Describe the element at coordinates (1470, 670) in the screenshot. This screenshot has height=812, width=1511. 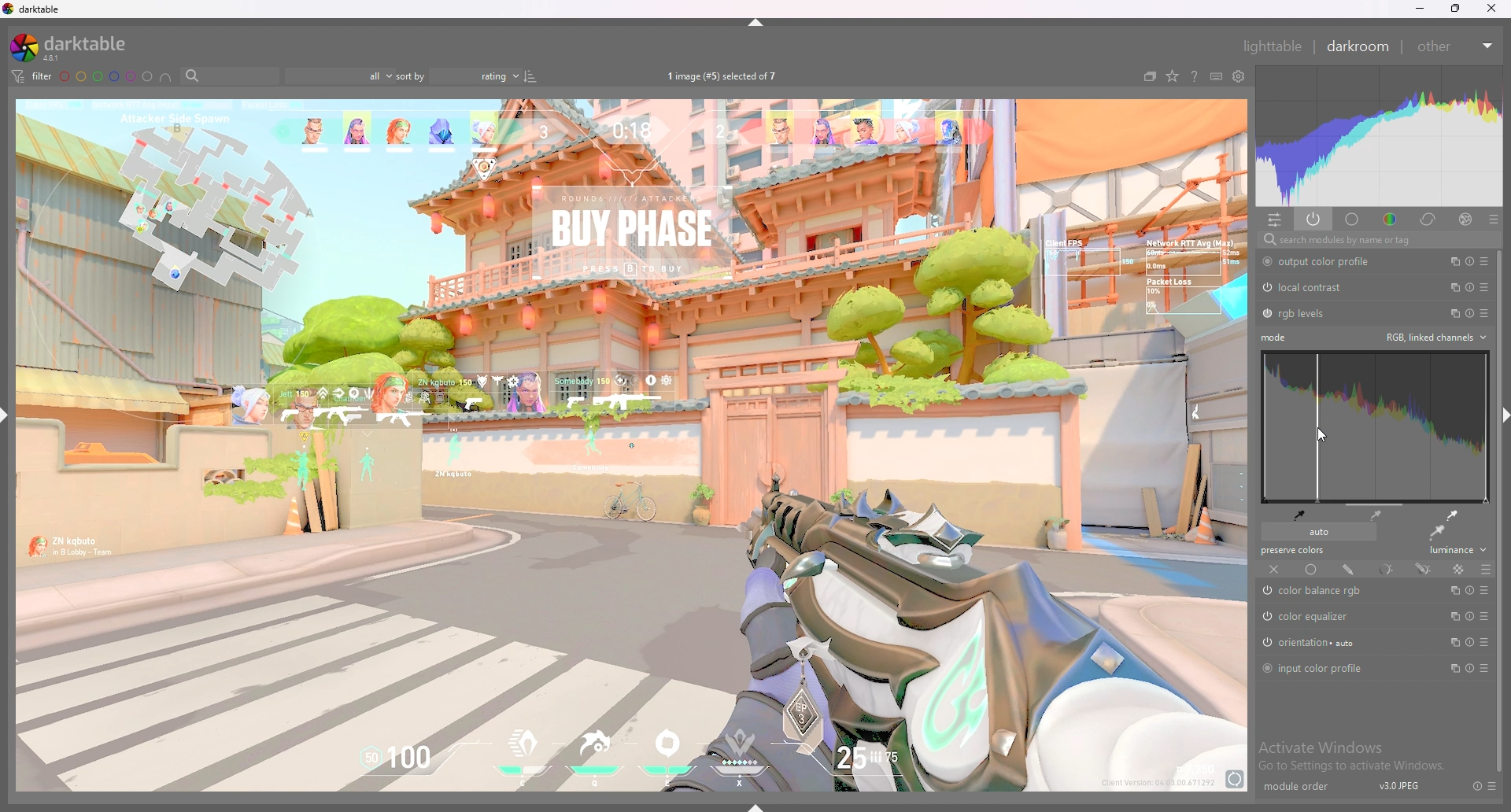
I see `reset` at that location.